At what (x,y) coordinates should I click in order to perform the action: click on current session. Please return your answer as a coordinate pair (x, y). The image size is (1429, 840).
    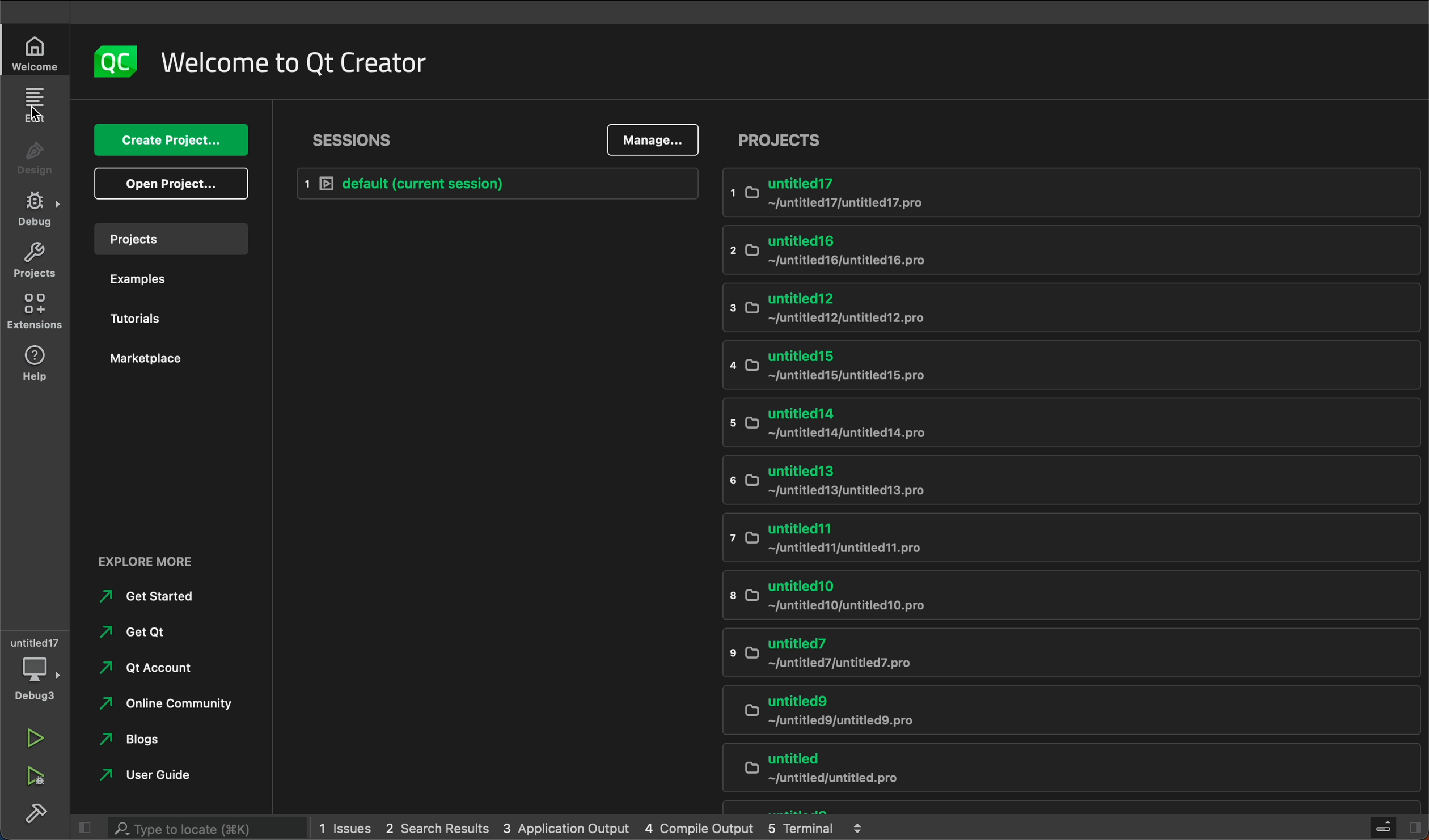
    Looking at the image, I should click on (498, 183).